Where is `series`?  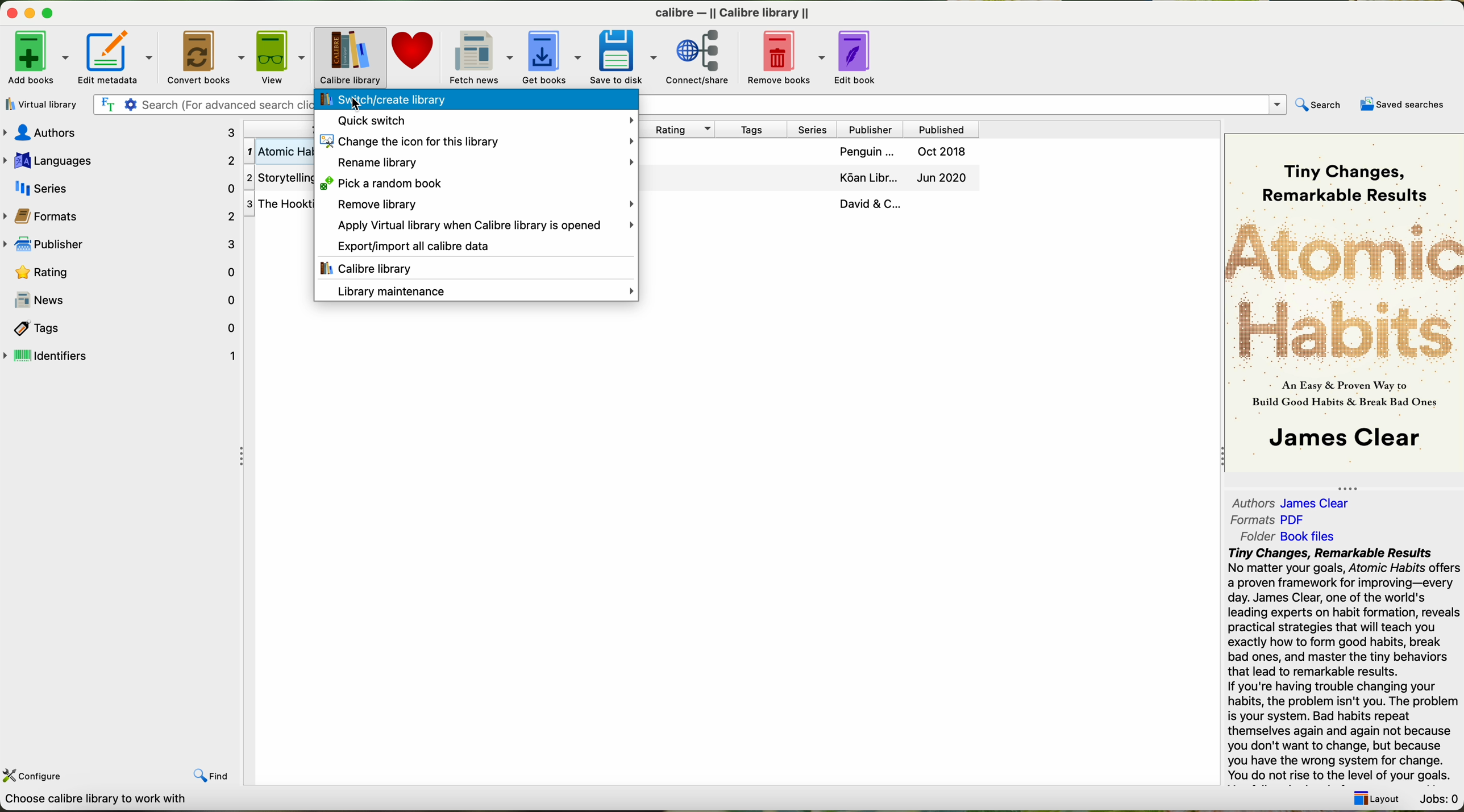
series is located at coordinates (120, 186).